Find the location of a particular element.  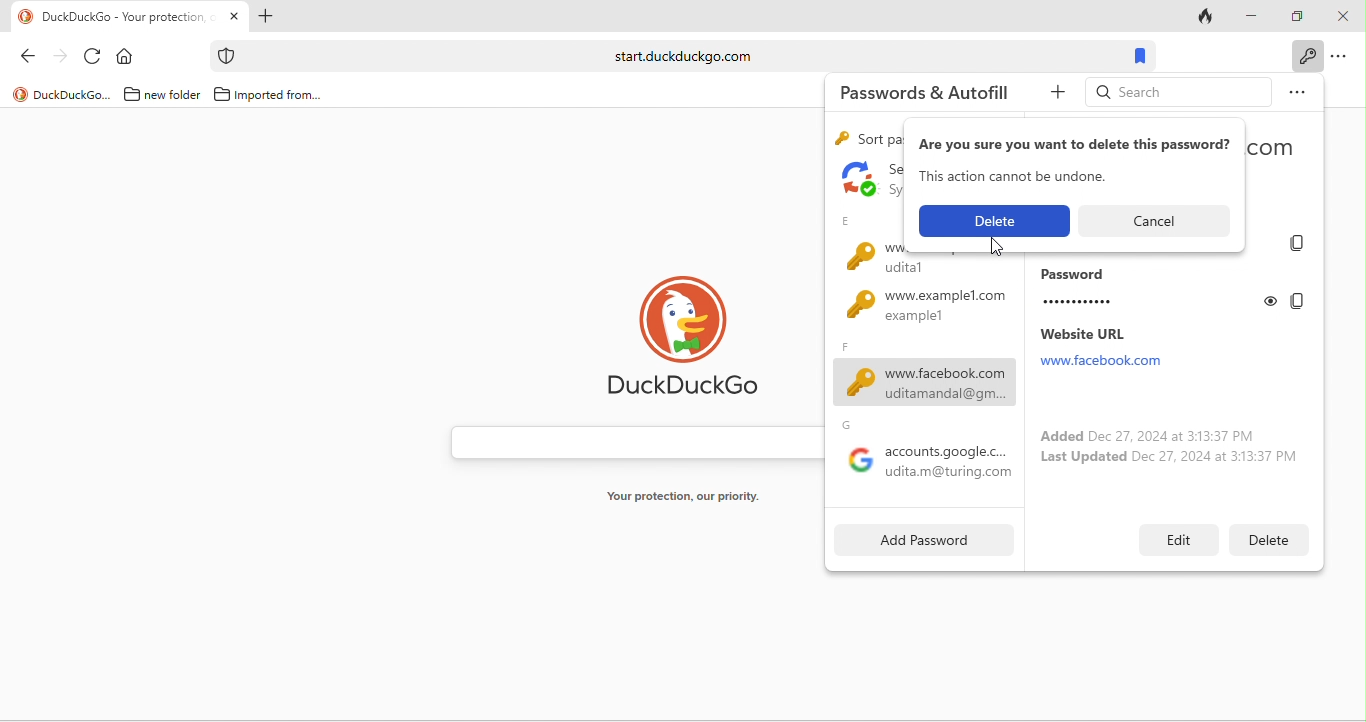

imported form is located at coordinates (270, 95).